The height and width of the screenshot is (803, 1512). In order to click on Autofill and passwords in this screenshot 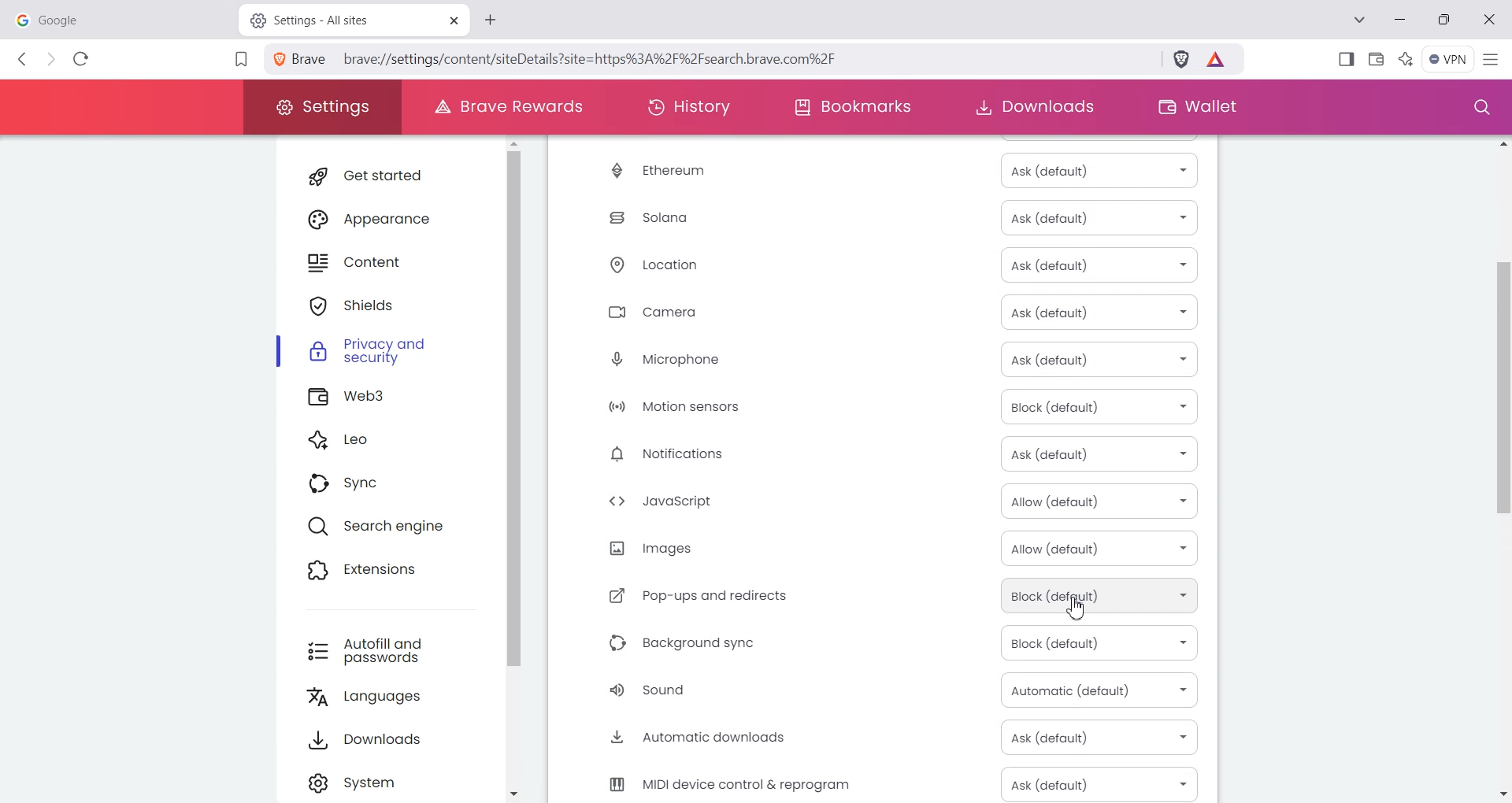, I will do `click(394, 651)`.